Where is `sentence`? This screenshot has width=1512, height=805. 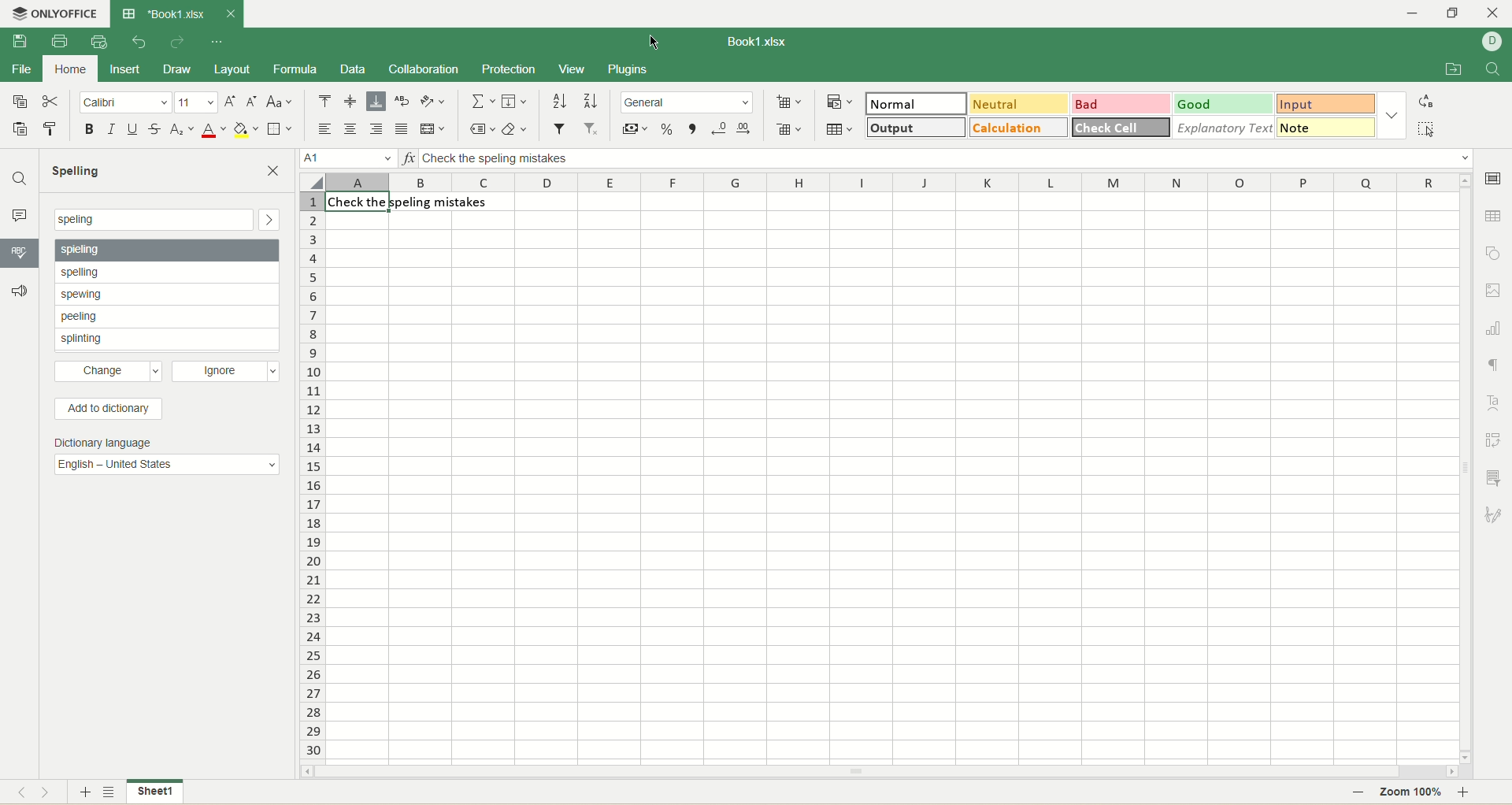 sentence is located at coordinates (412, 203).